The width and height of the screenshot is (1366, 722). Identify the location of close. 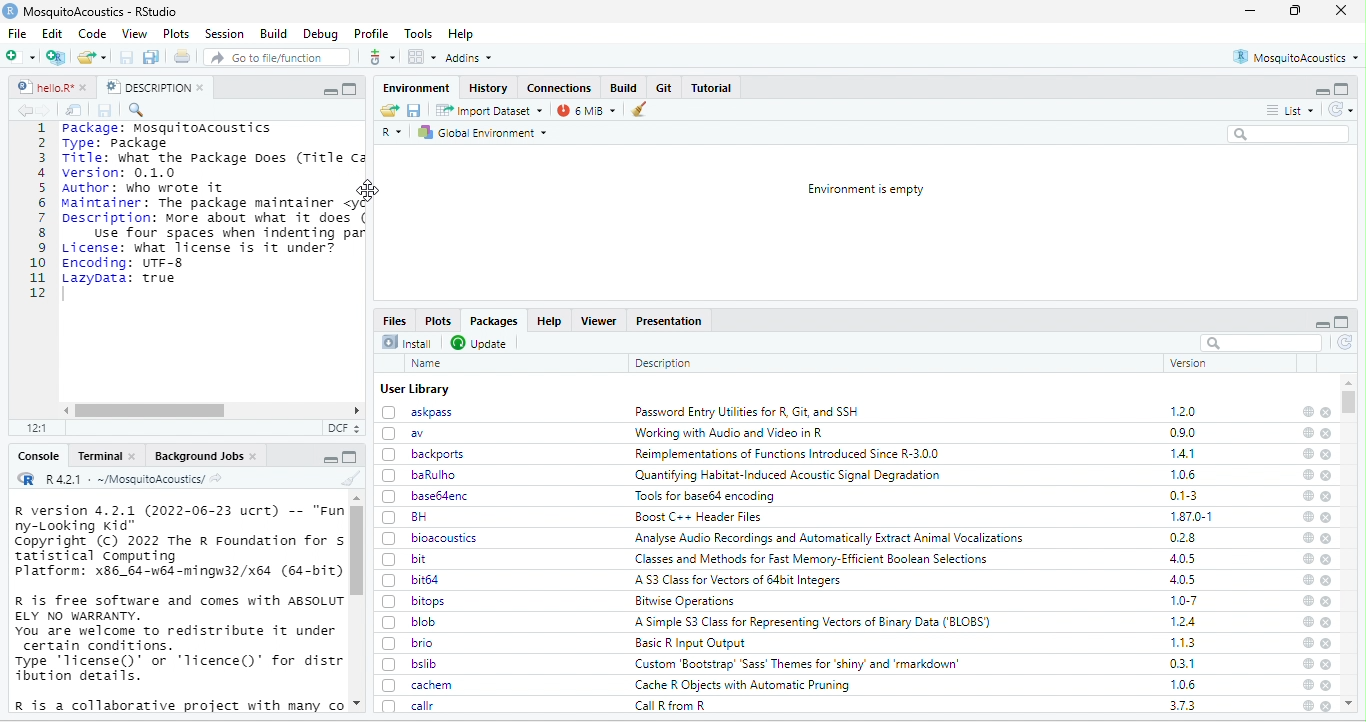
(1327, 434).